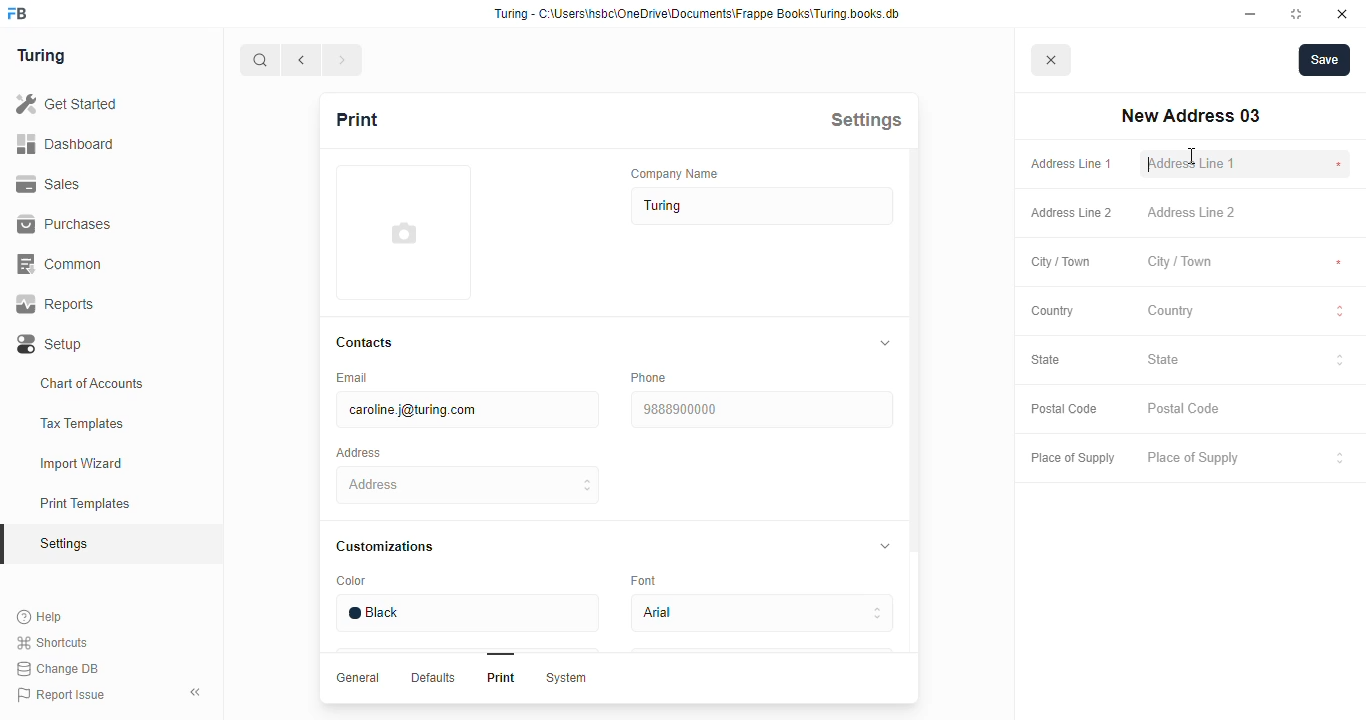  Describe the element at coordinates (302, 60) in the screenshot. I see `previous` at that location.